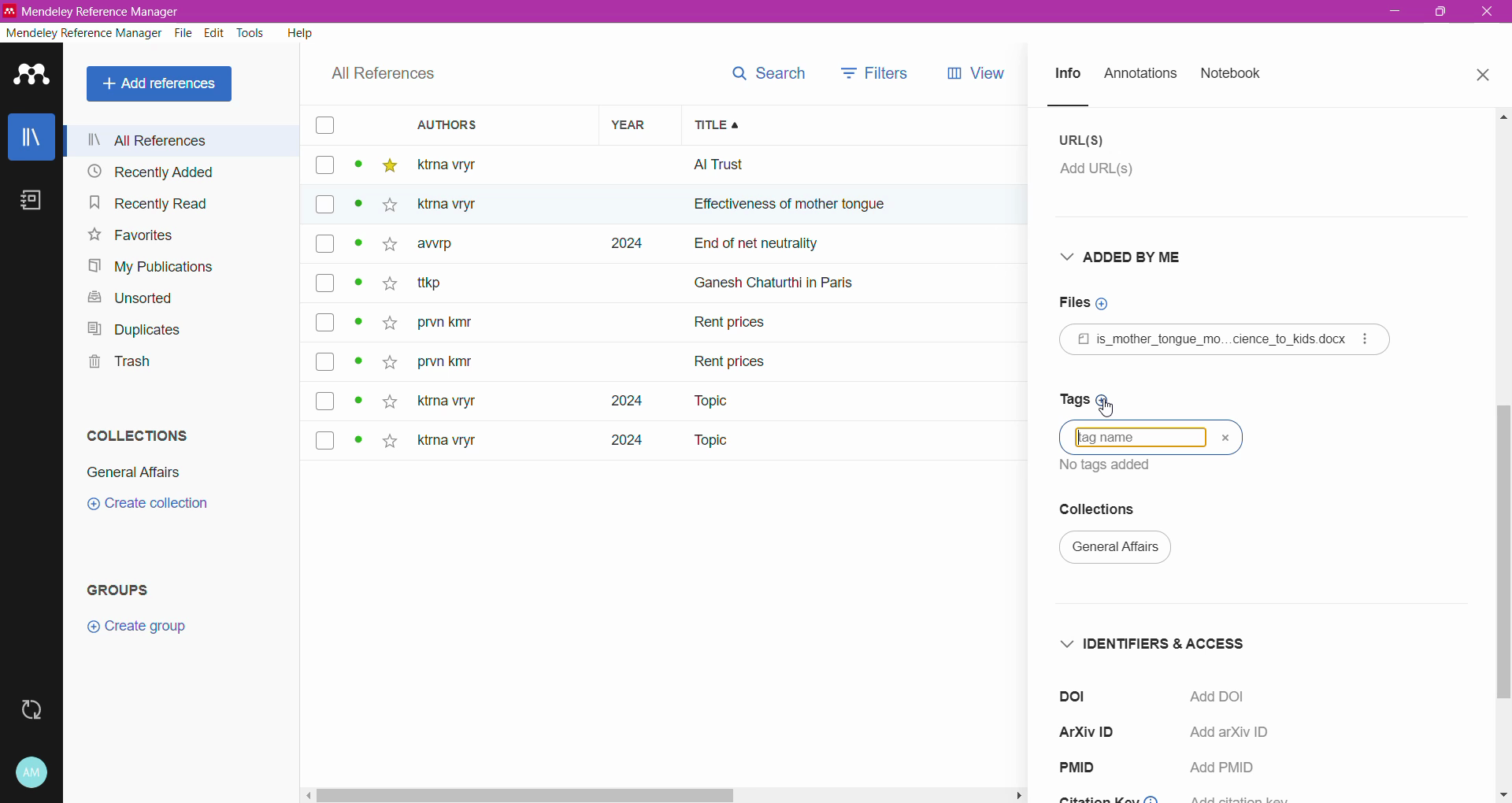 This screenshot has height=803, width=1512. What do you see at coordinates (1503, 457) in the screenshot?
I see `Vertical Scroll Bar dragged to final position` at bounding box center [1503, 457].